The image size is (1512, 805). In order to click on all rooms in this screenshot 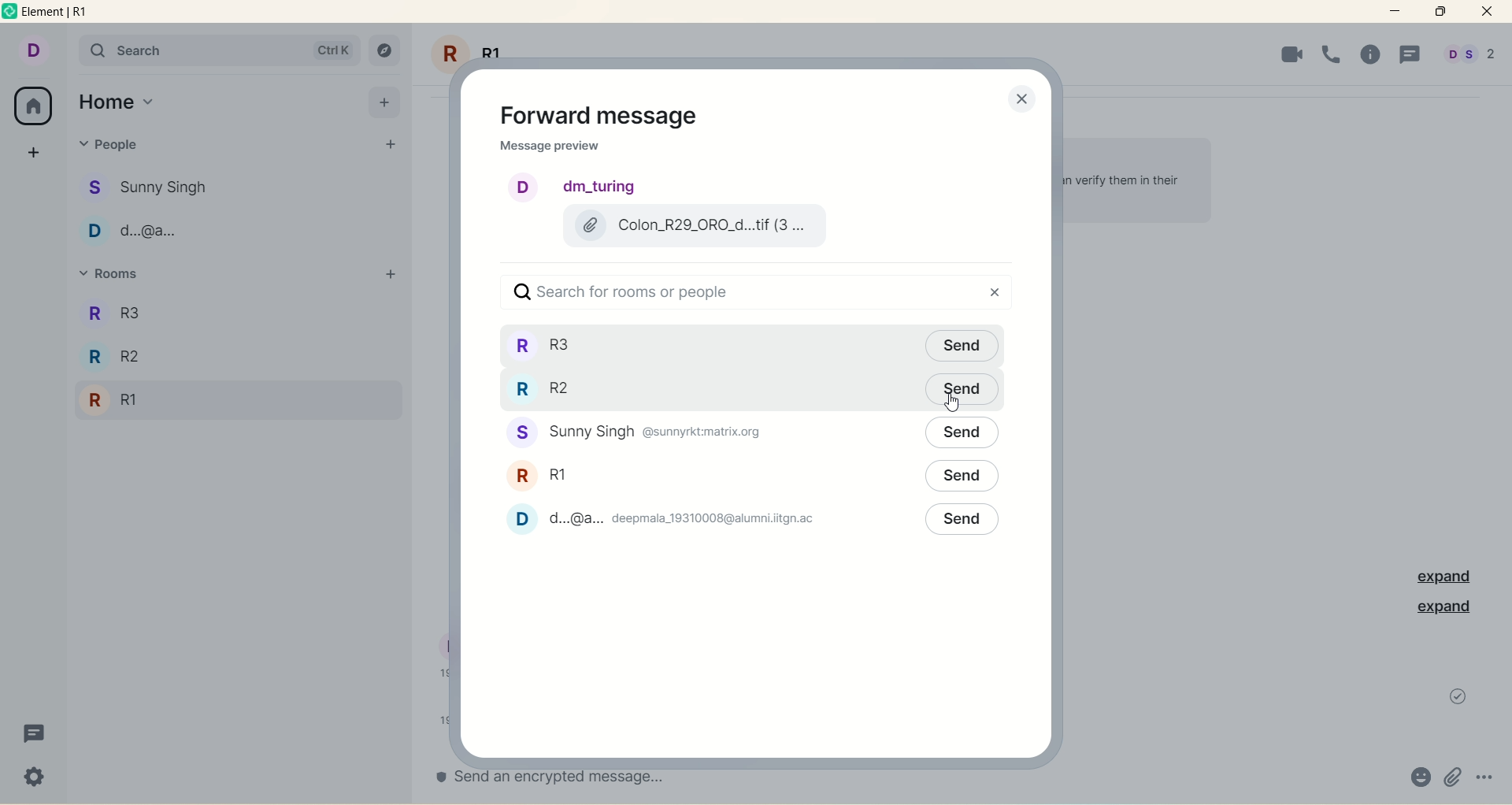, I will do `click(31, 106)`.